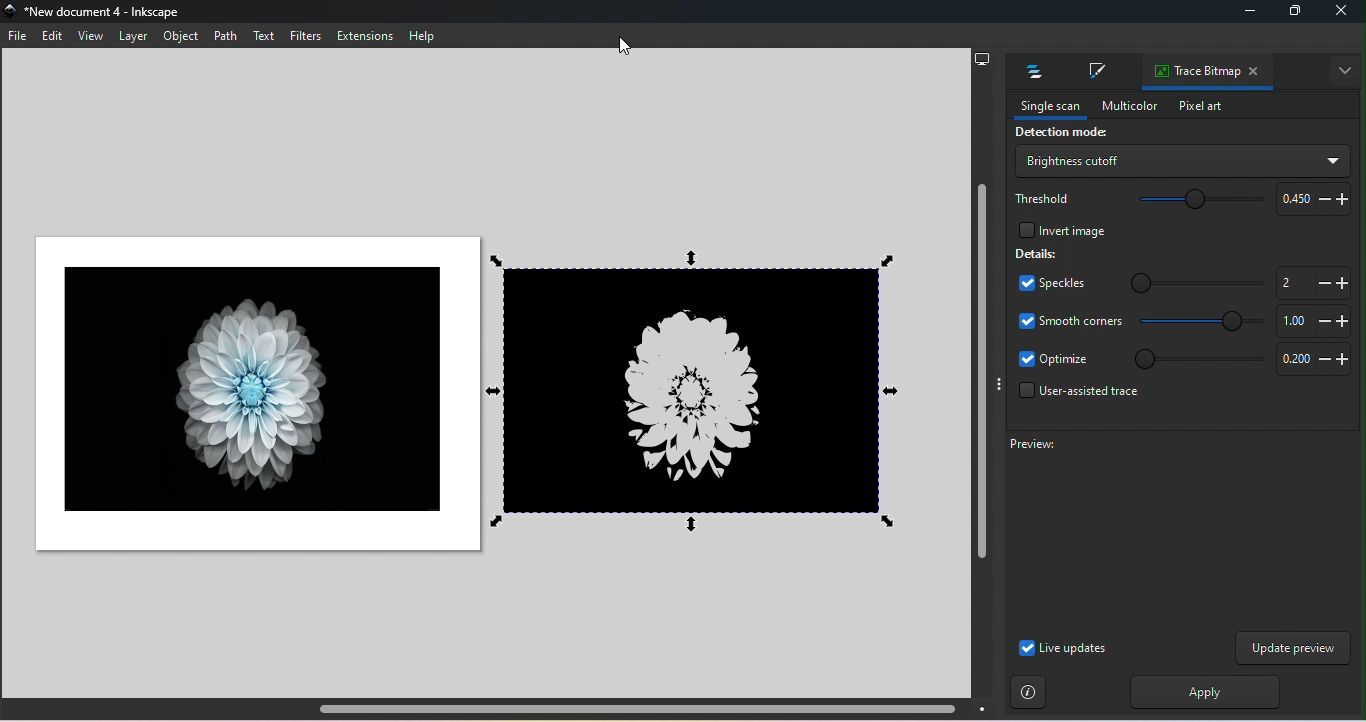 The width and height of the screenshot is (1366, 722). Describe the element at coordinates (20, 39) in the screenshot. I see `File` at that location.